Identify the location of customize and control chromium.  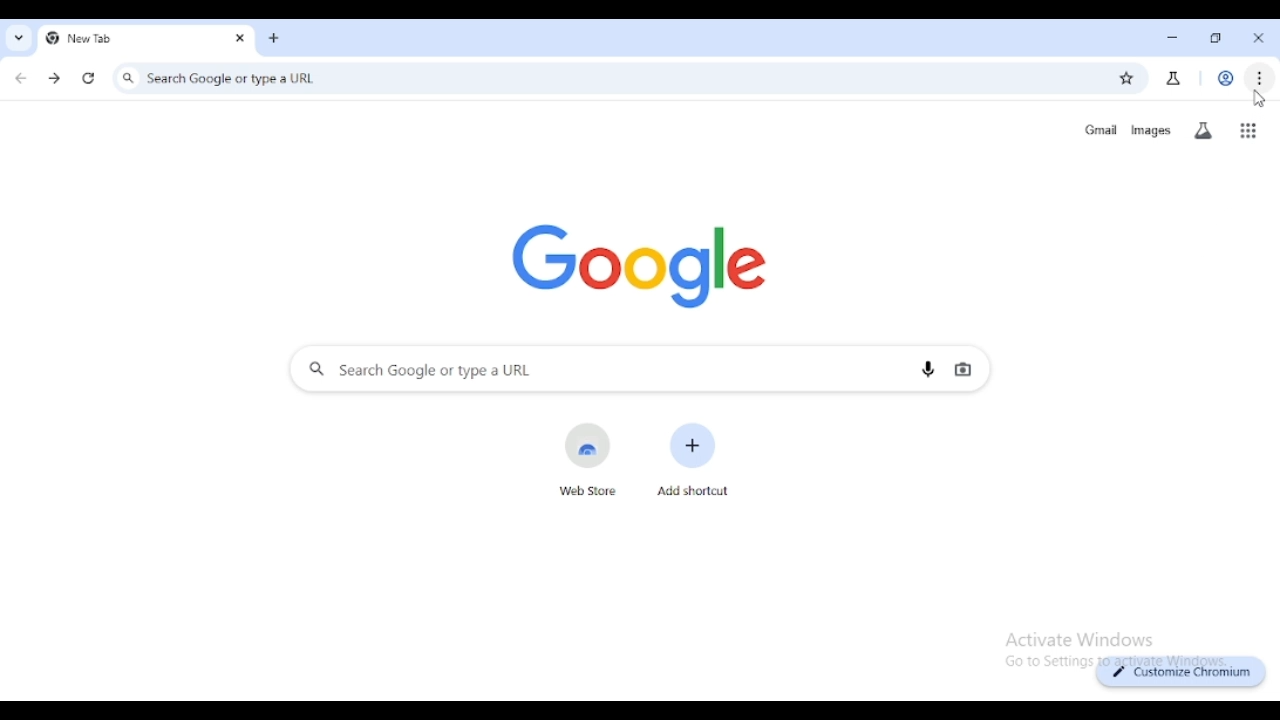
(1259, 77).